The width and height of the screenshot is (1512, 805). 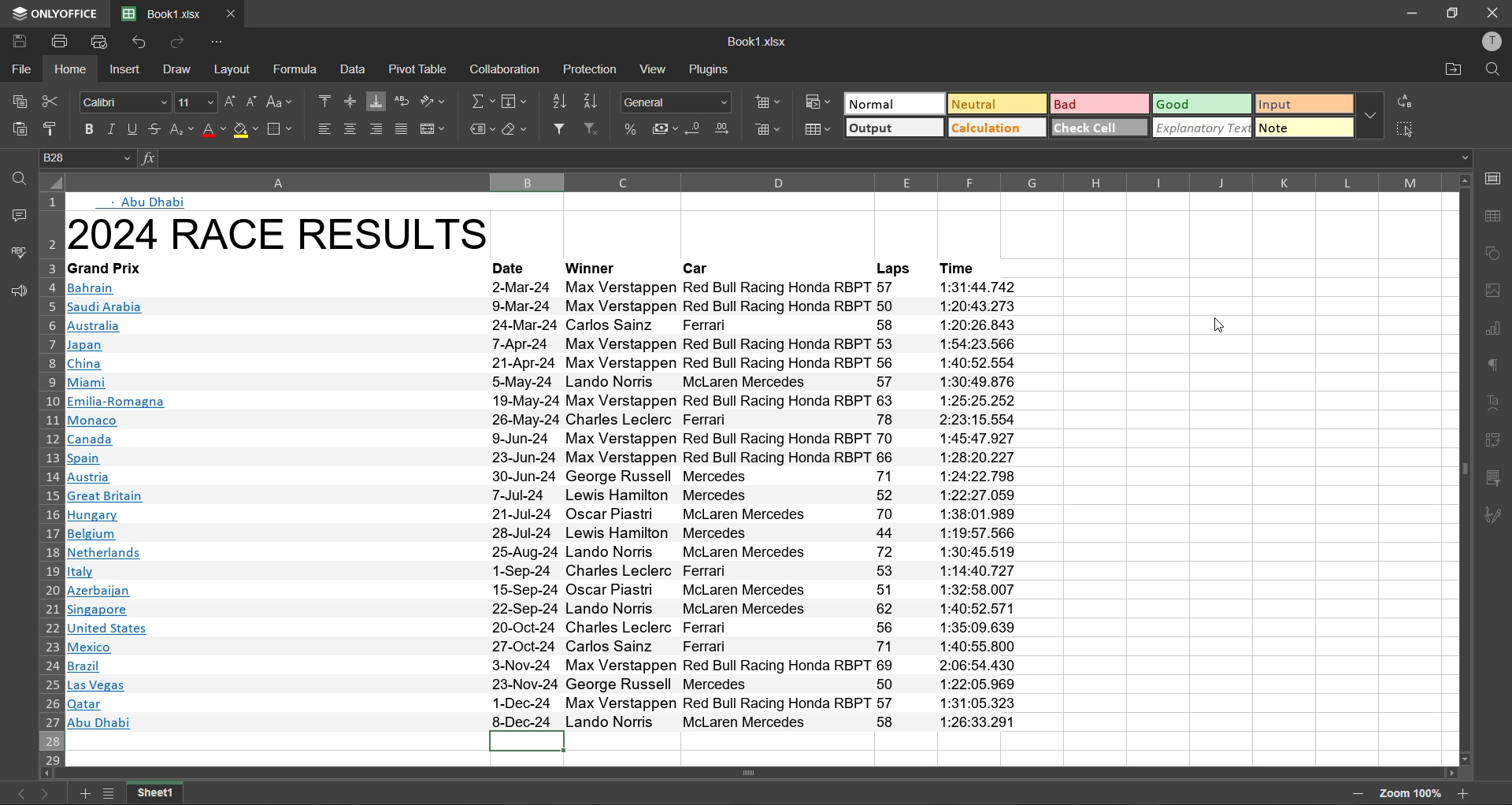 I want to click on borders, so click(x=283, y=129).